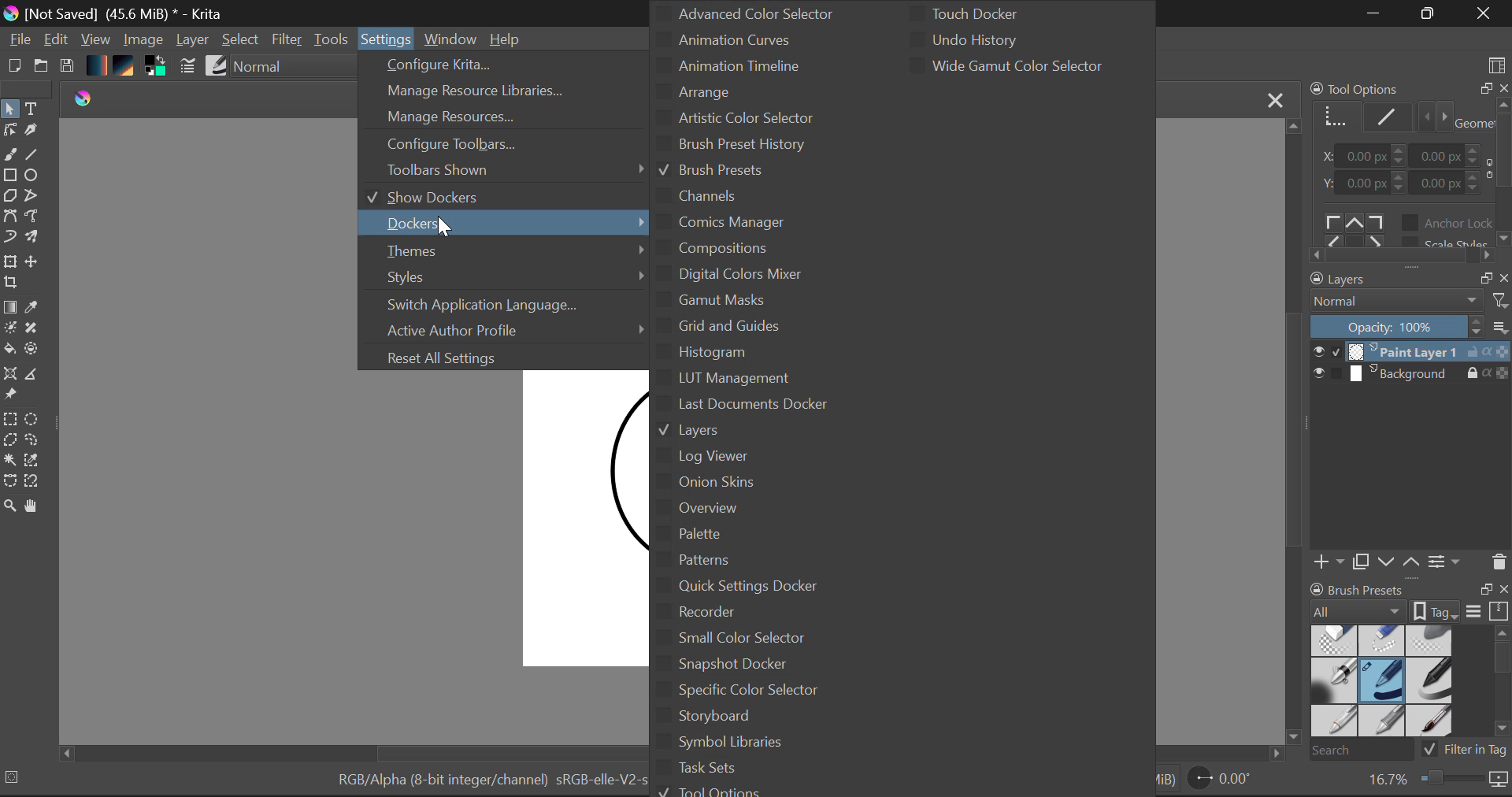 This screenshot has width=1512, height=797. I want to click on Docket Scroll Bar, so click(1502, 682).